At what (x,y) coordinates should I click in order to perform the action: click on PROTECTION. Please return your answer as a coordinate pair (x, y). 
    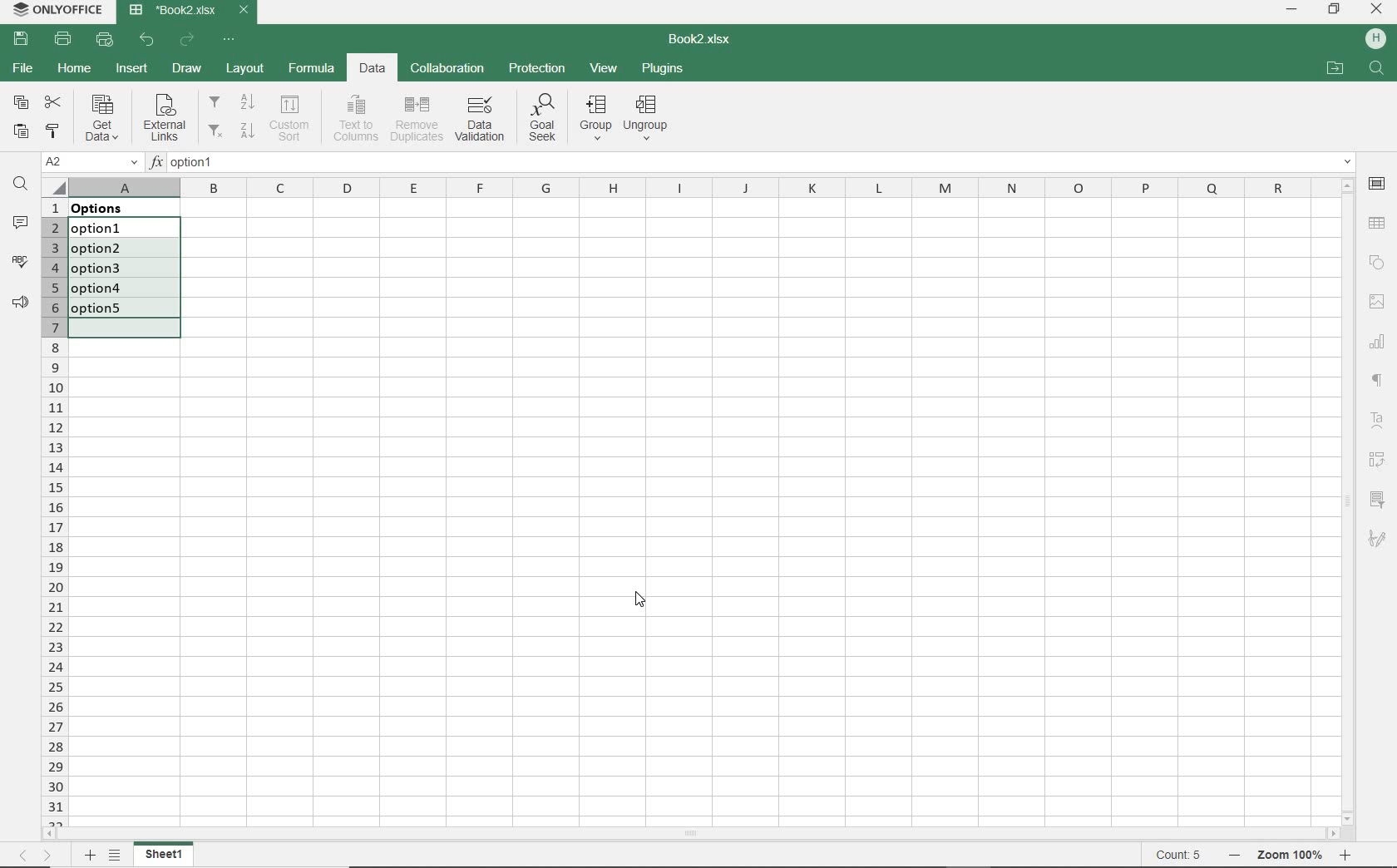
    Looking at the image, I should click on (537, 69).